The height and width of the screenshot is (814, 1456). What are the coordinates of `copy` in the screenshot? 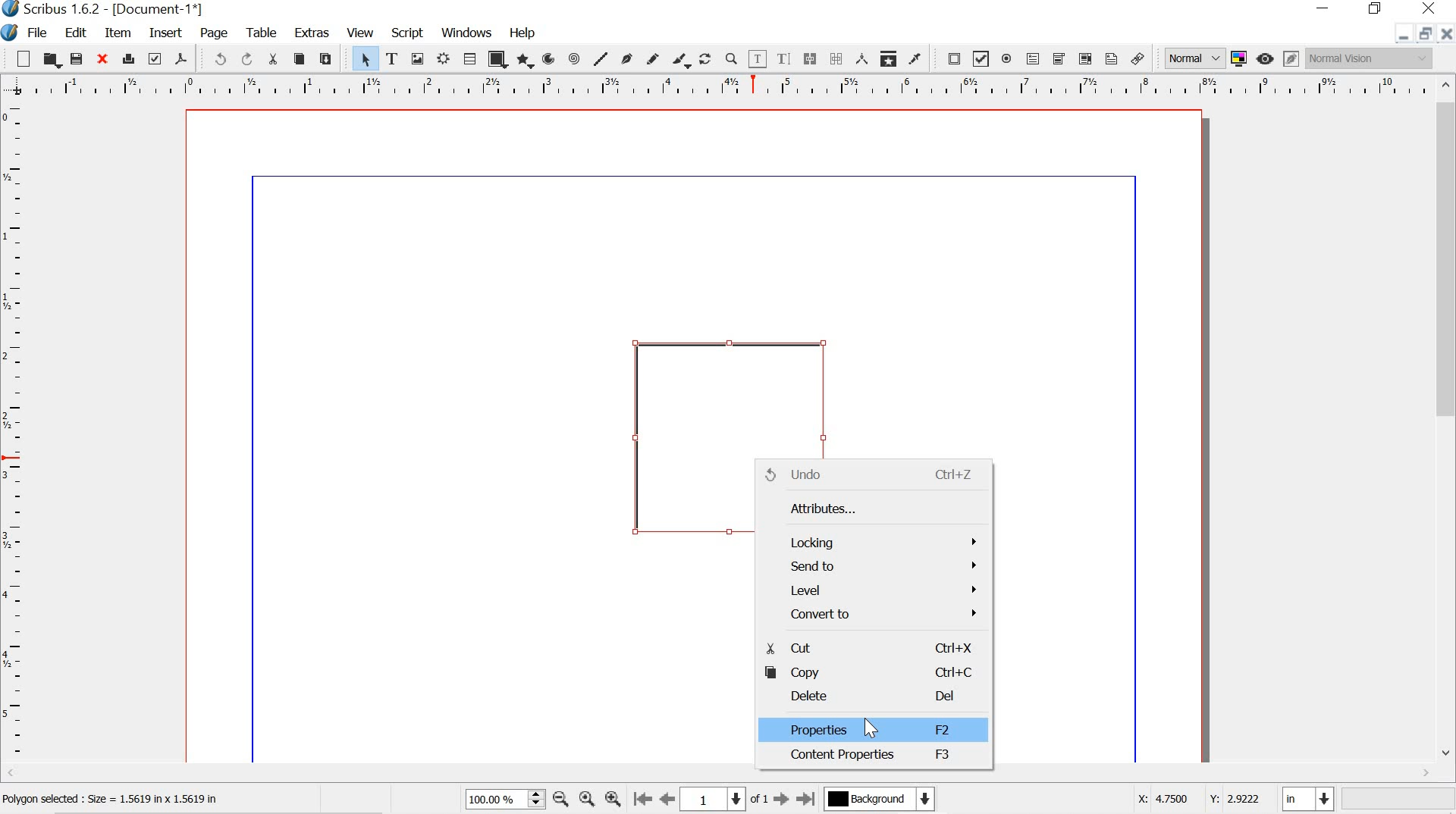 It's located at (299, 58).